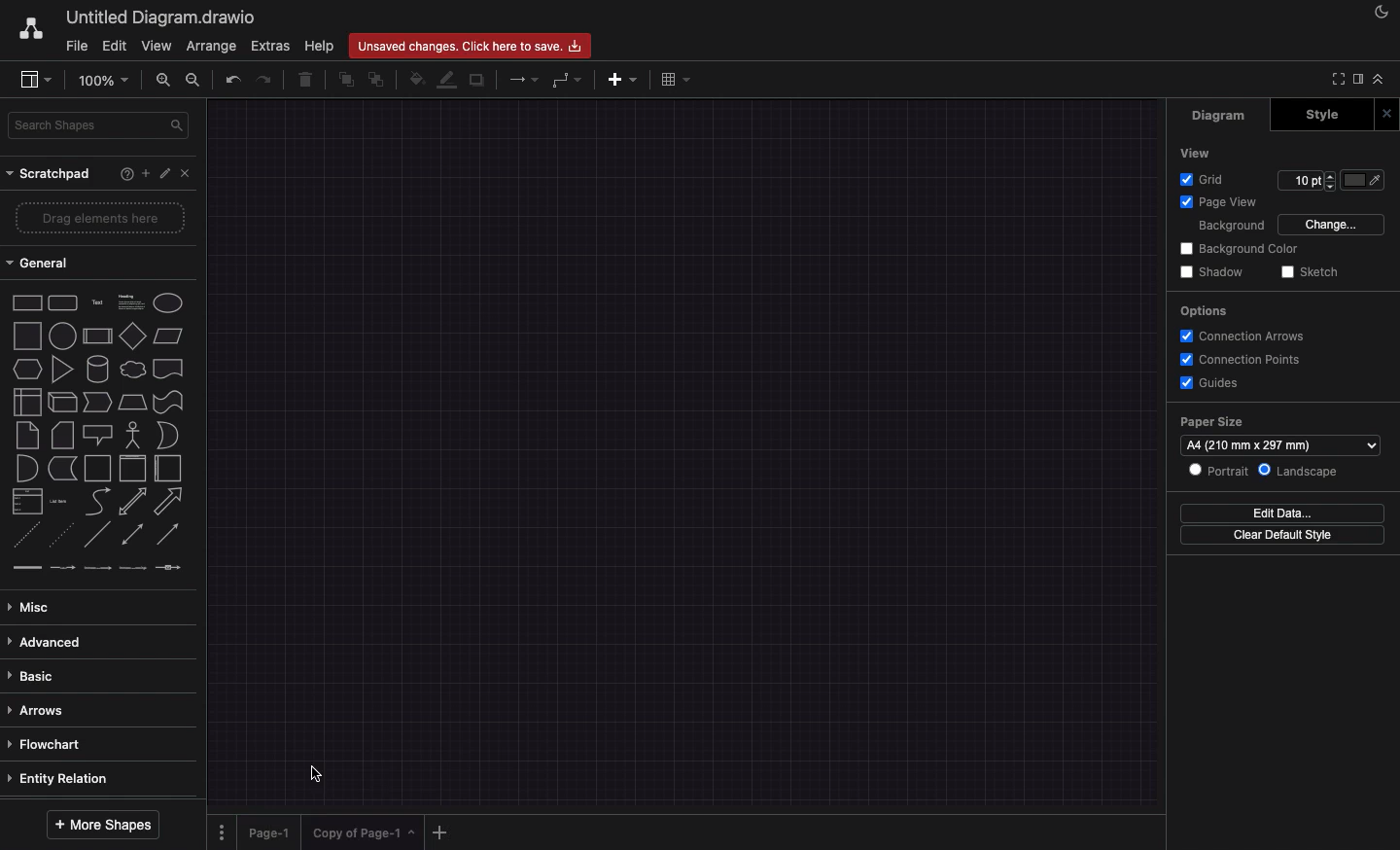  What do you see at coordinates (98, 370) in the screenshot?
I see `cylinder` at bounding box center [98, 370].